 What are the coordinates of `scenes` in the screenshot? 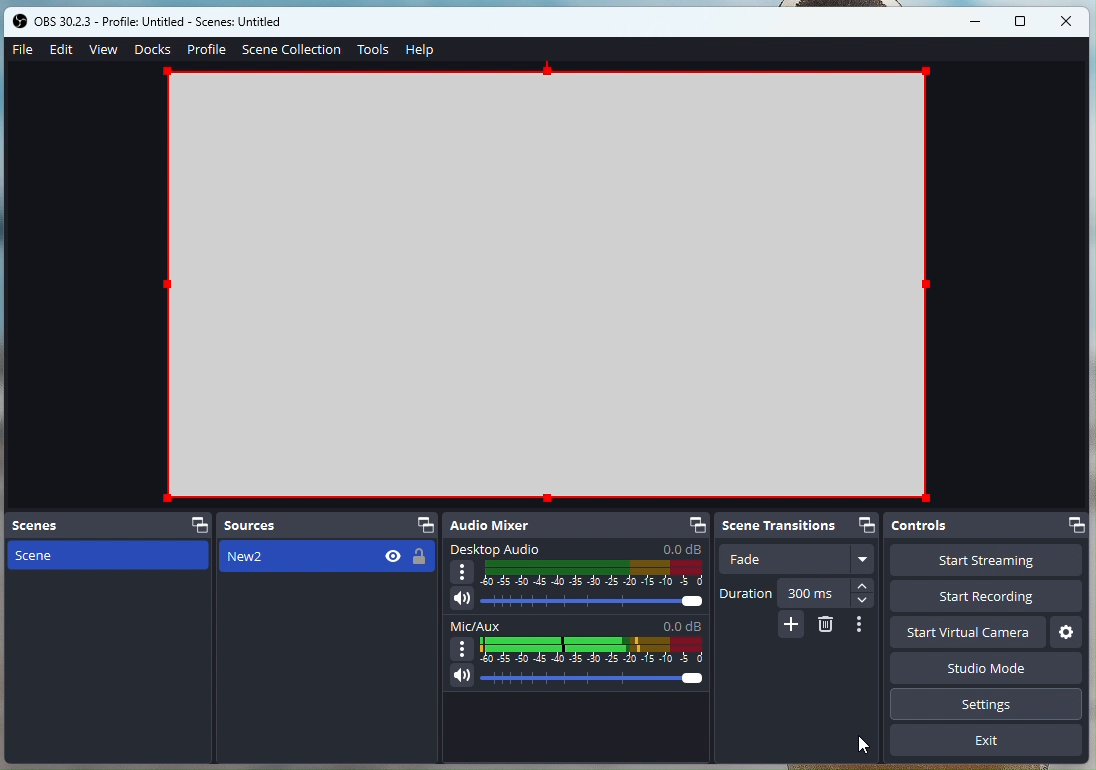 It's located at (106, 558).